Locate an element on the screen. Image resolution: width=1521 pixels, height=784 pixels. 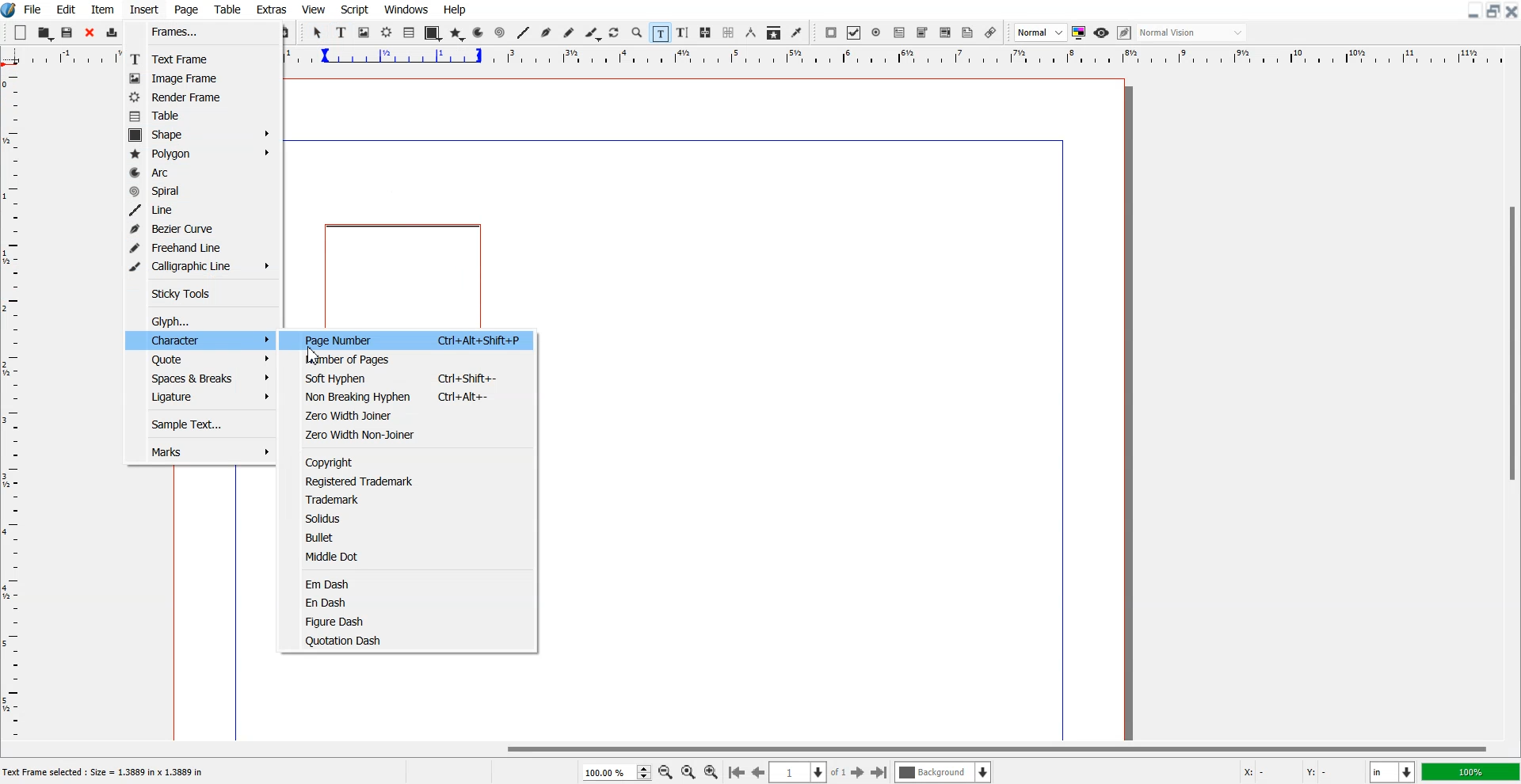
Link text frame is located at coordinates (706, 33).